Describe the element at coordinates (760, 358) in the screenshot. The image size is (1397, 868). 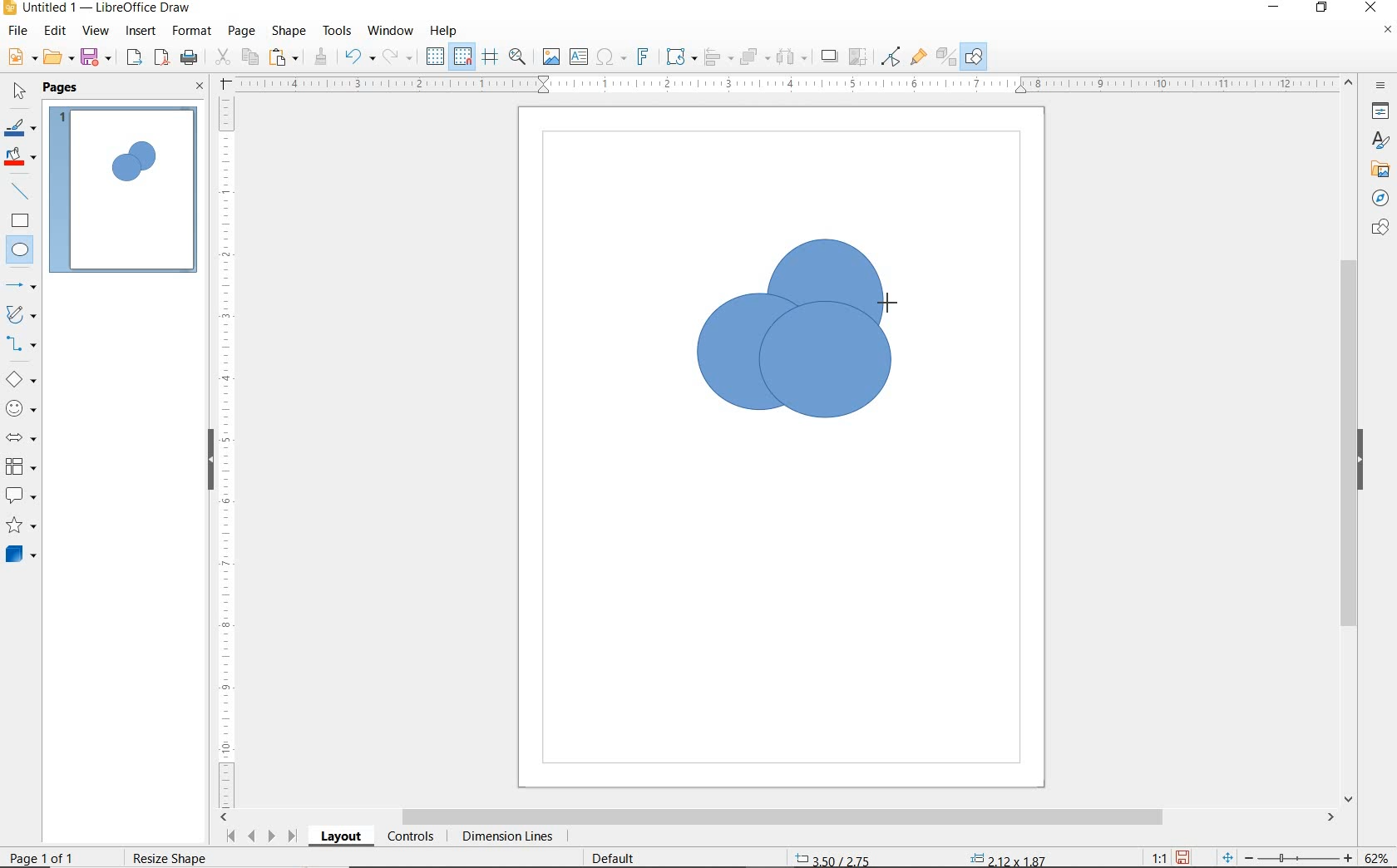
I see `DRAWN SECOND CIRCLE` at that location.